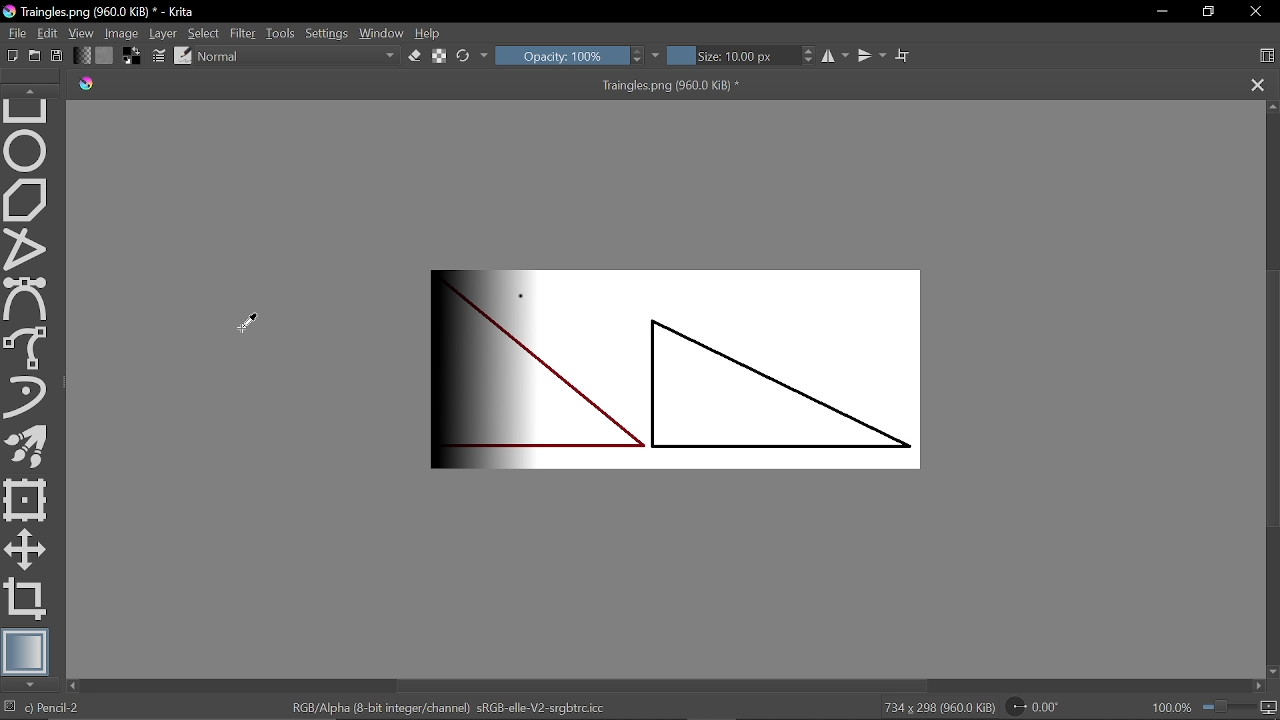 This screenshot has height=720, width=1280. What do you see at coordinates (26, 445) in the screenshot?
I see `Multibrush tool` at bounding box center [26, 445].